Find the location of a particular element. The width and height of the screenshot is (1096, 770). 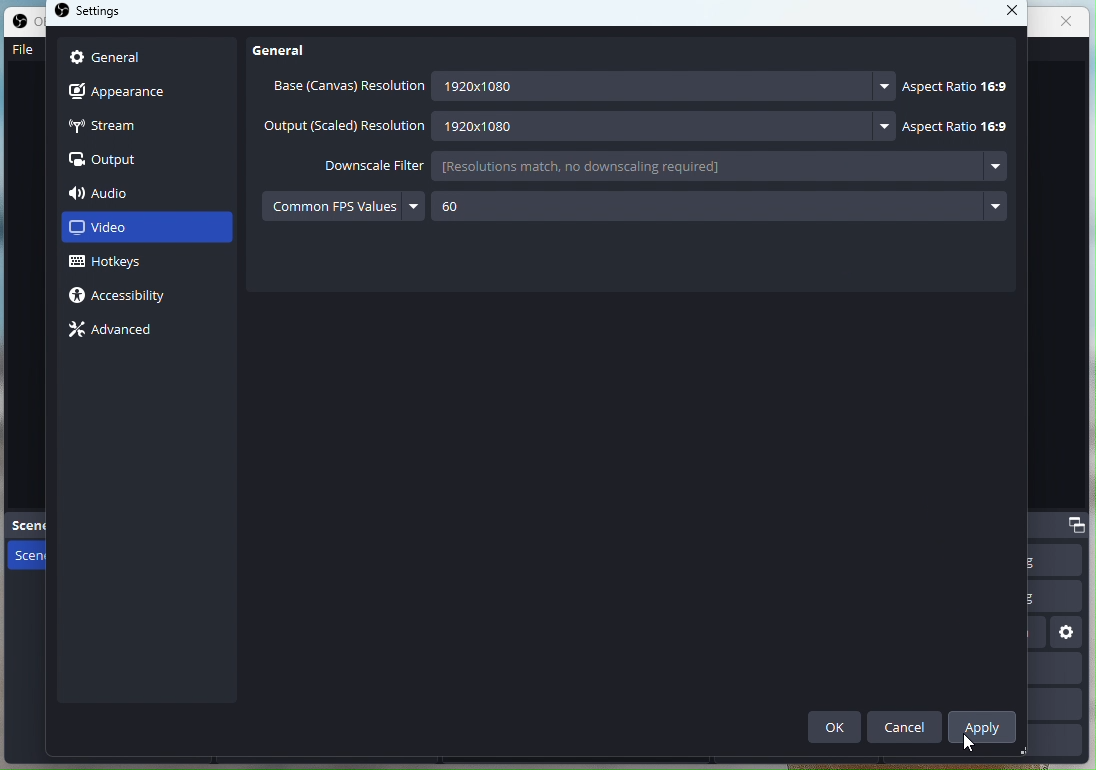

Output (scaled) resolution is located at coordinates (345, 126).